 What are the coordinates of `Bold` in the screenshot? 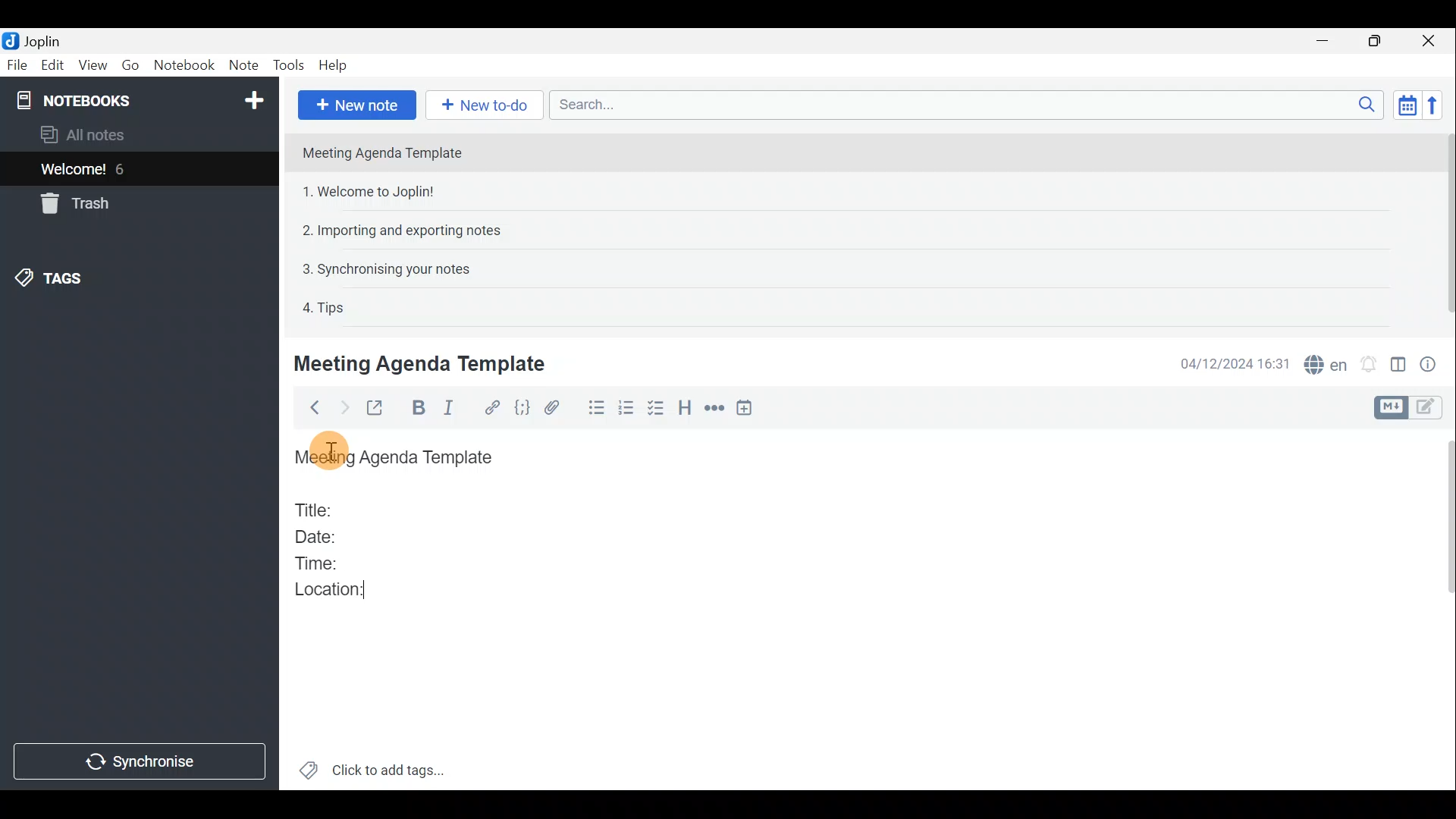 It's located at (416, 409).